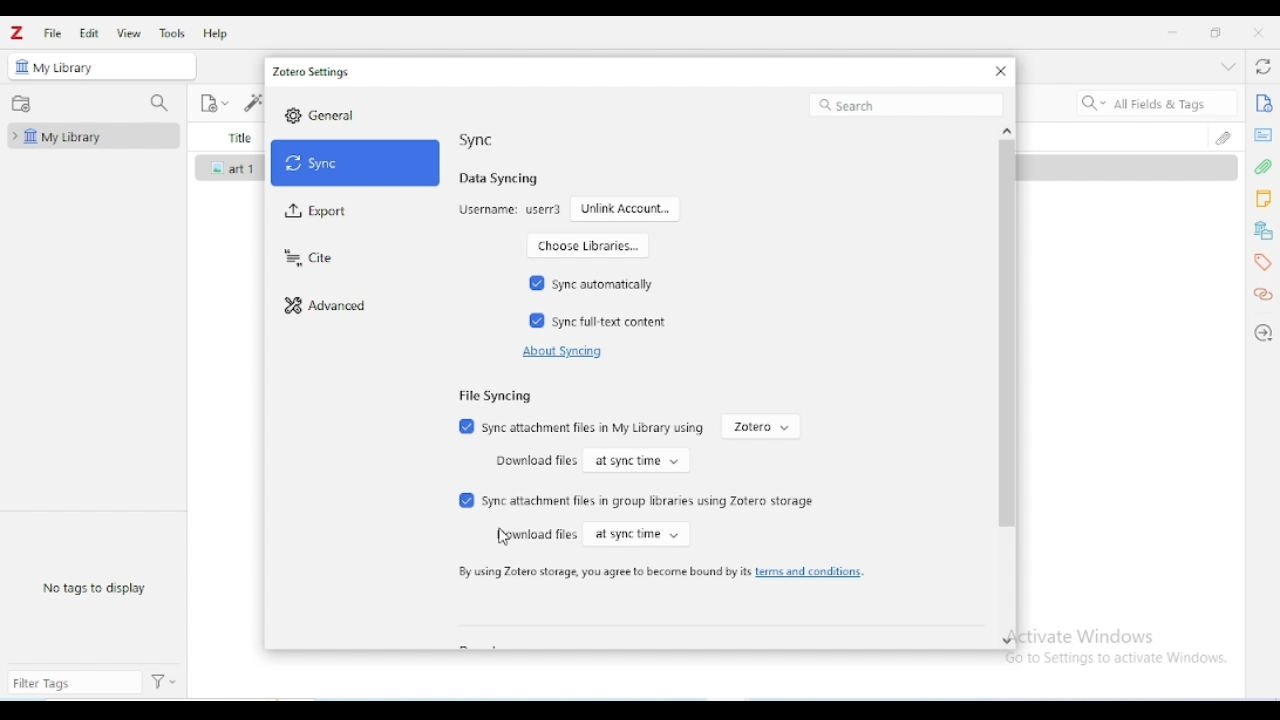  What do you see at coordinates (1264, 66) in the screenshot?
I see `sync with zotero.org` at bounding box center [1264, 66].